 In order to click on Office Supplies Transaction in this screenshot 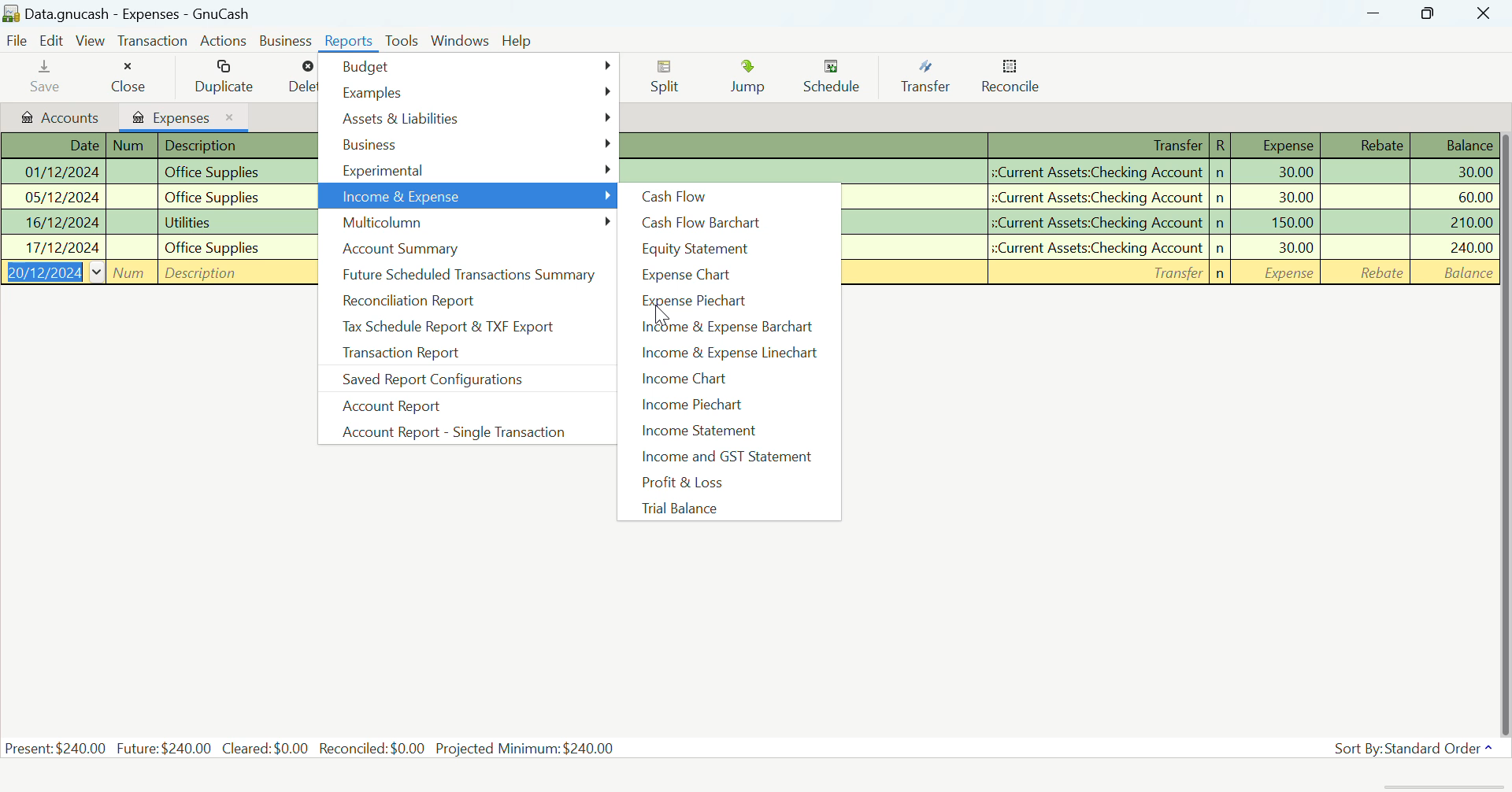, I will do `click(153, 174)`.